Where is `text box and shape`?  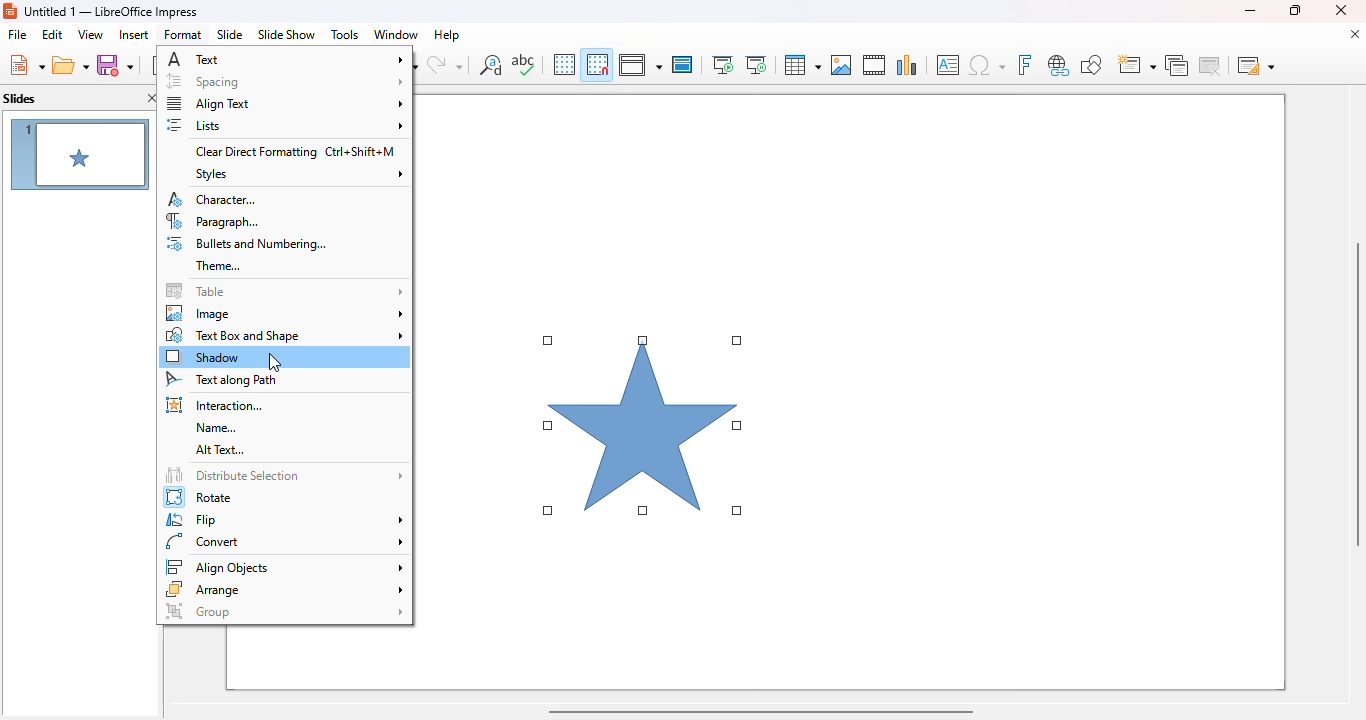
text box and shape is located at coordinates (286, 335).